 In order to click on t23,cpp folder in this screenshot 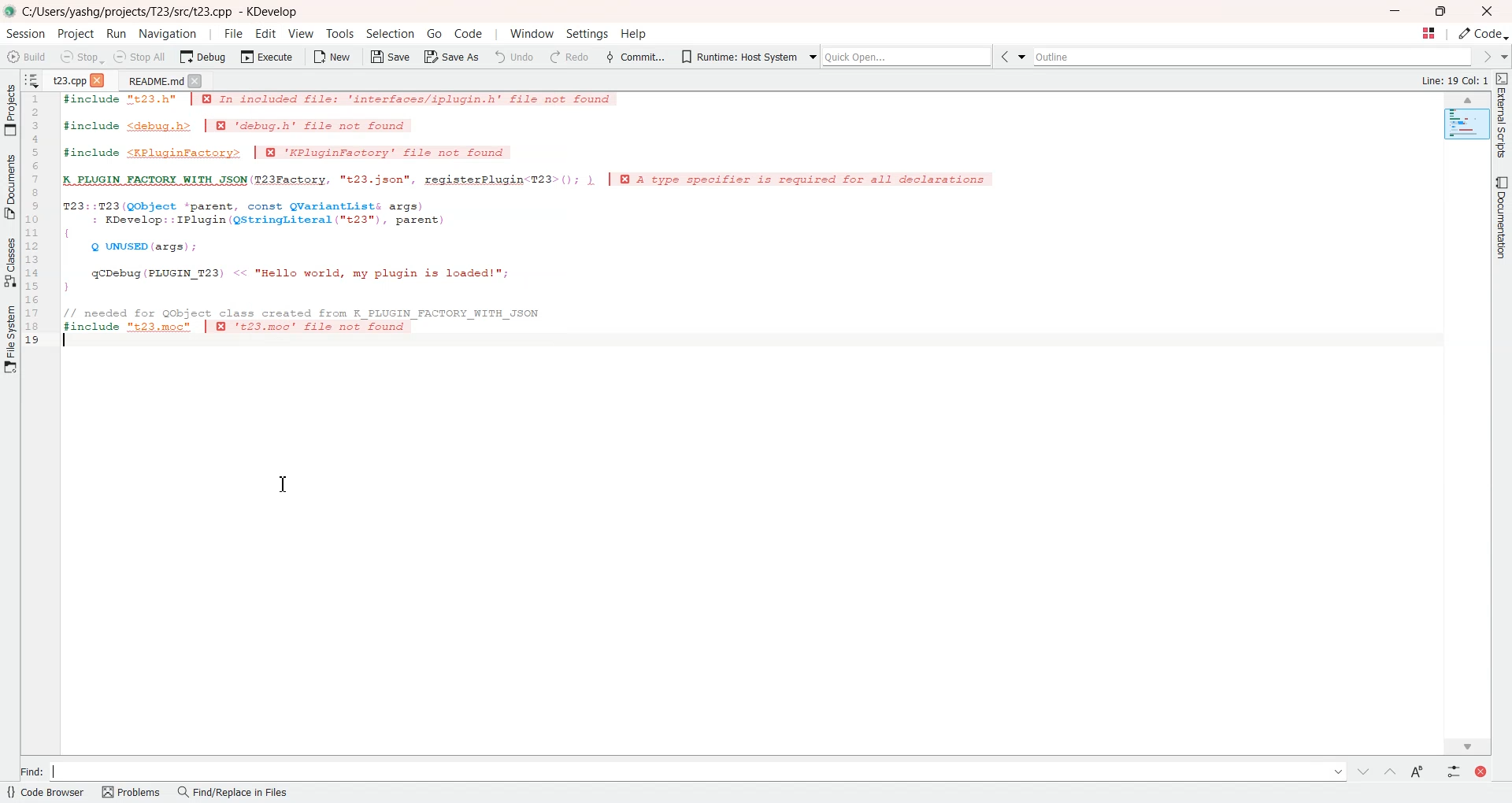, I will do `click(67, 79)`.